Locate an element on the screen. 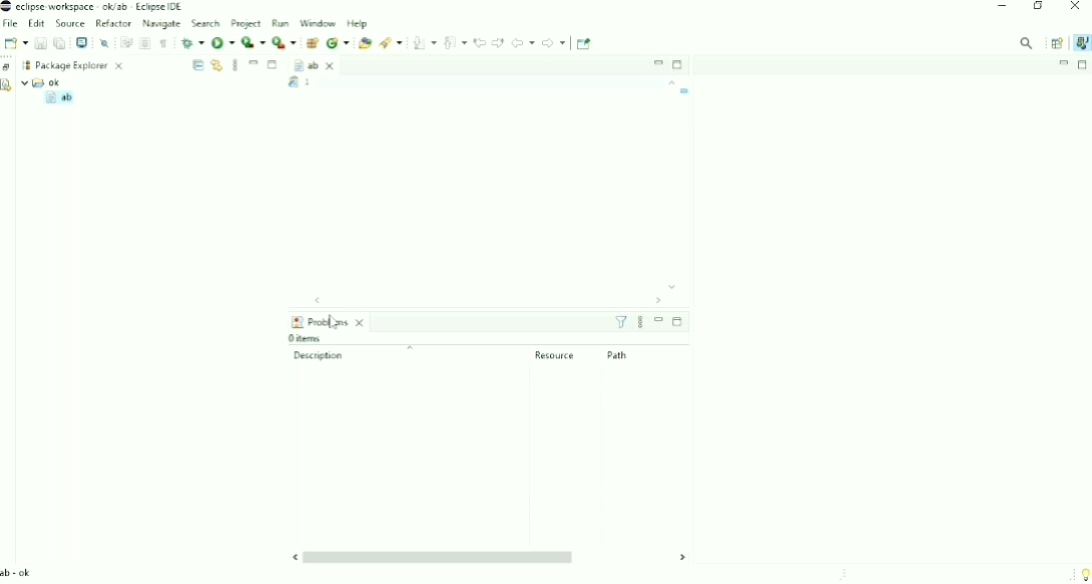 This screenshot has width=1092, height=584. Open Type is located at coordinates (365, 43).